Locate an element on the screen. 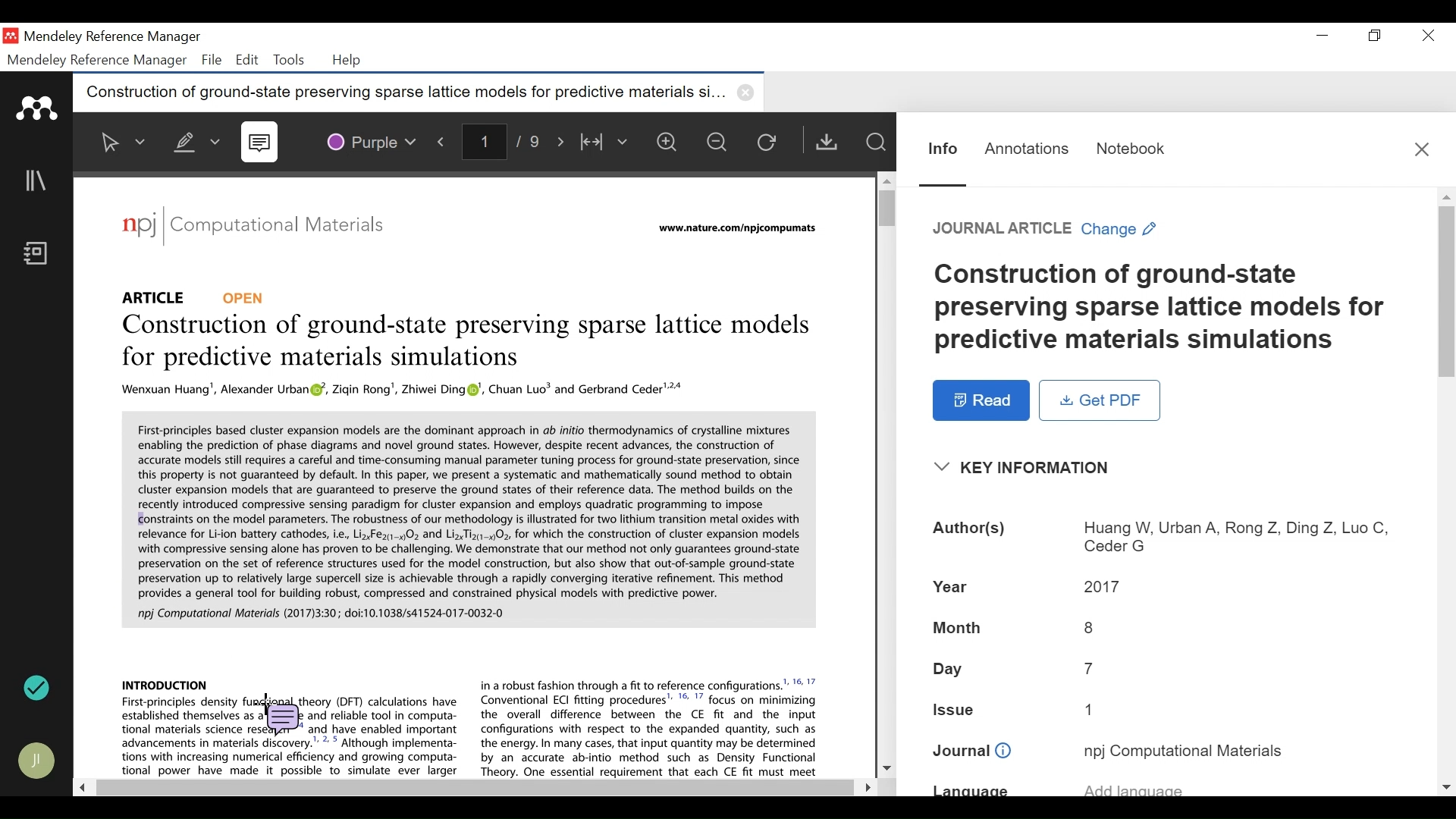 The height and width of the screenshot is (819, 1456). Help is located at coordinates (349, 61).